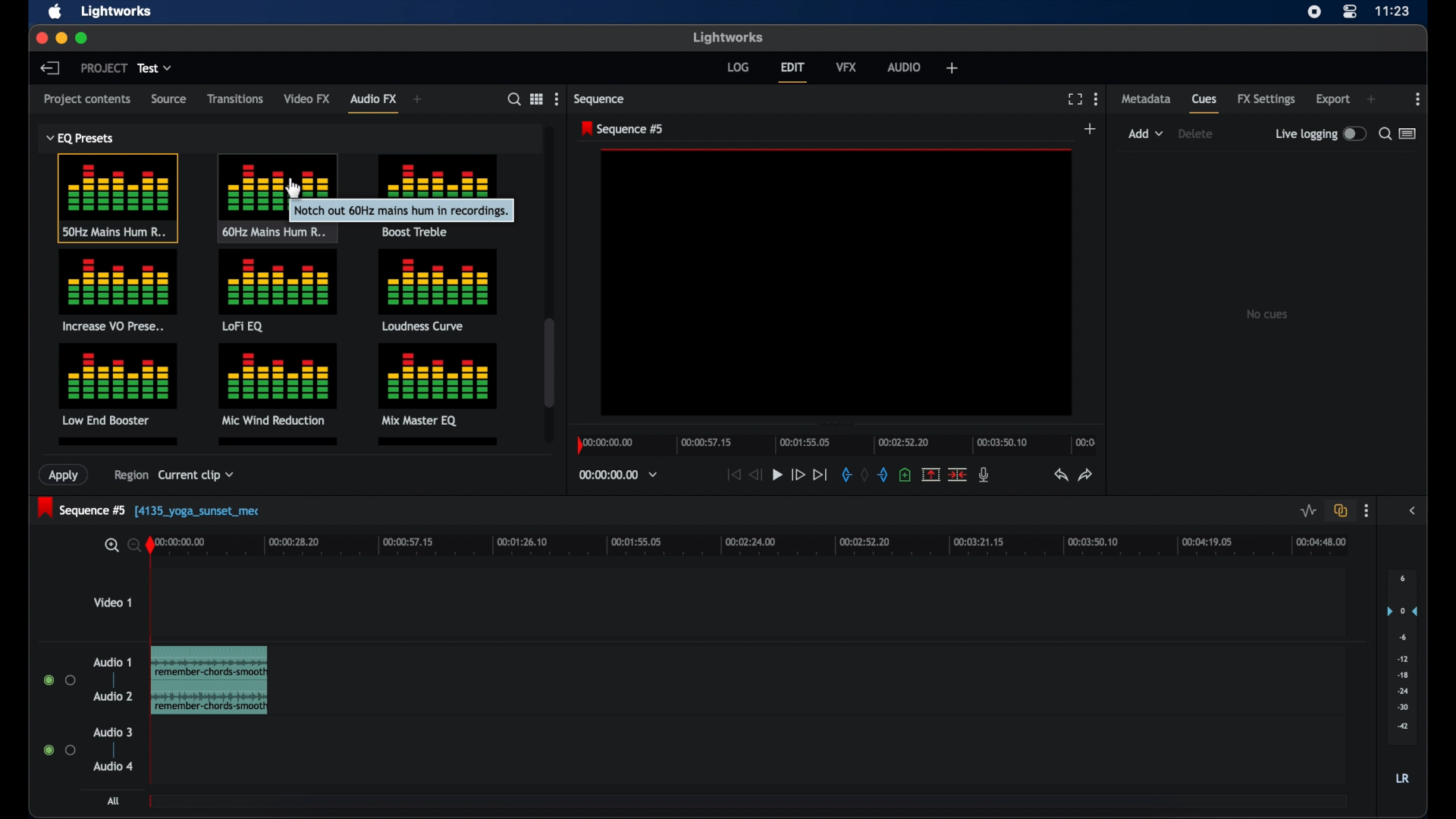 Image resolution: width=1456 pixels, height=819 pixels. Describe the element at coordinates (1367, 511) in the screenshot. I see `more options` at that location.